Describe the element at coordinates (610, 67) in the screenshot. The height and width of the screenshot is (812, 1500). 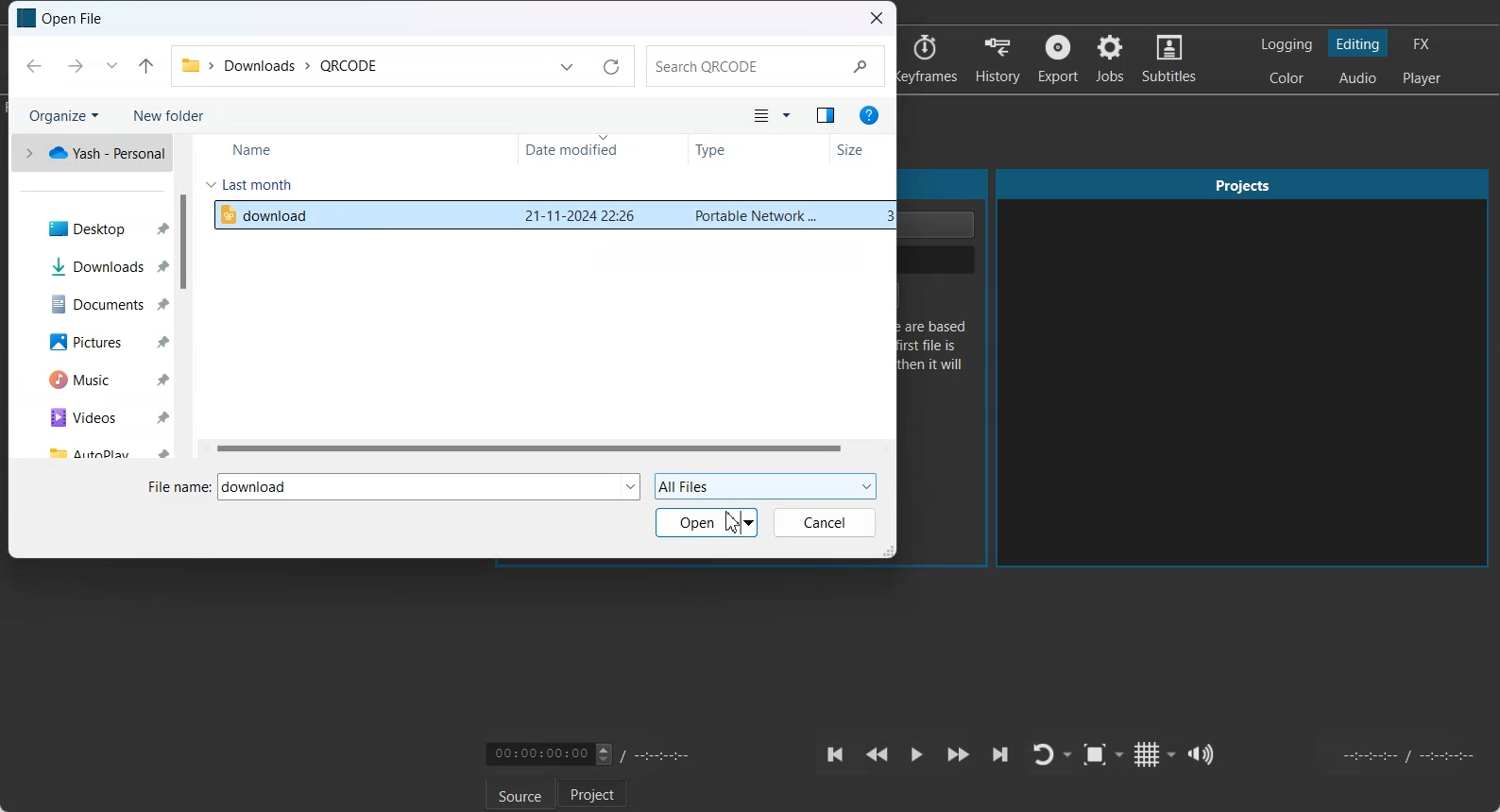
I see `Refresh` at that location.